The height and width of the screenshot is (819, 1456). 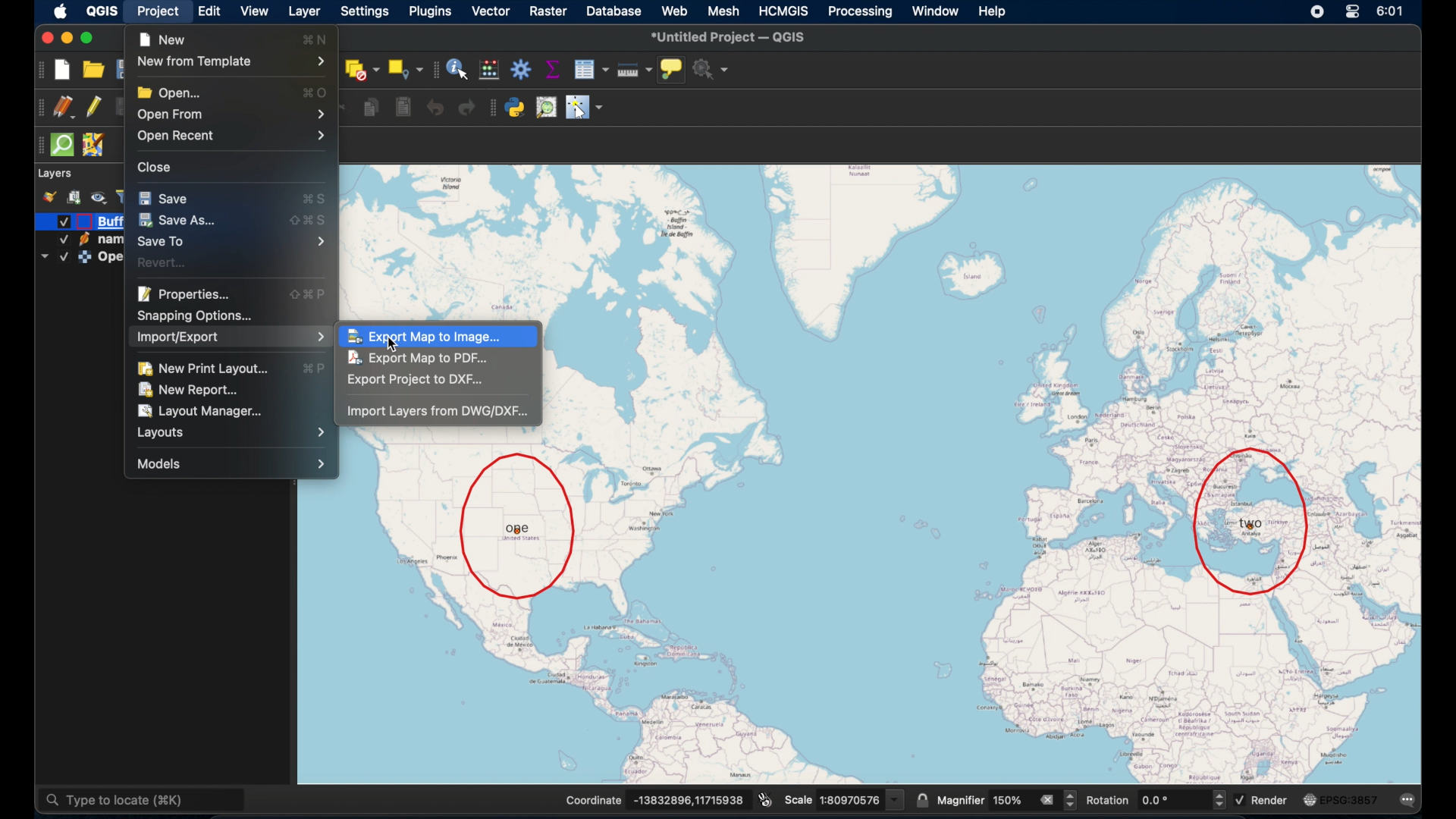 What do you see at coordinates (39, 108) in the screenshot?
I see `drag handle` at bounding box center [39, 108].